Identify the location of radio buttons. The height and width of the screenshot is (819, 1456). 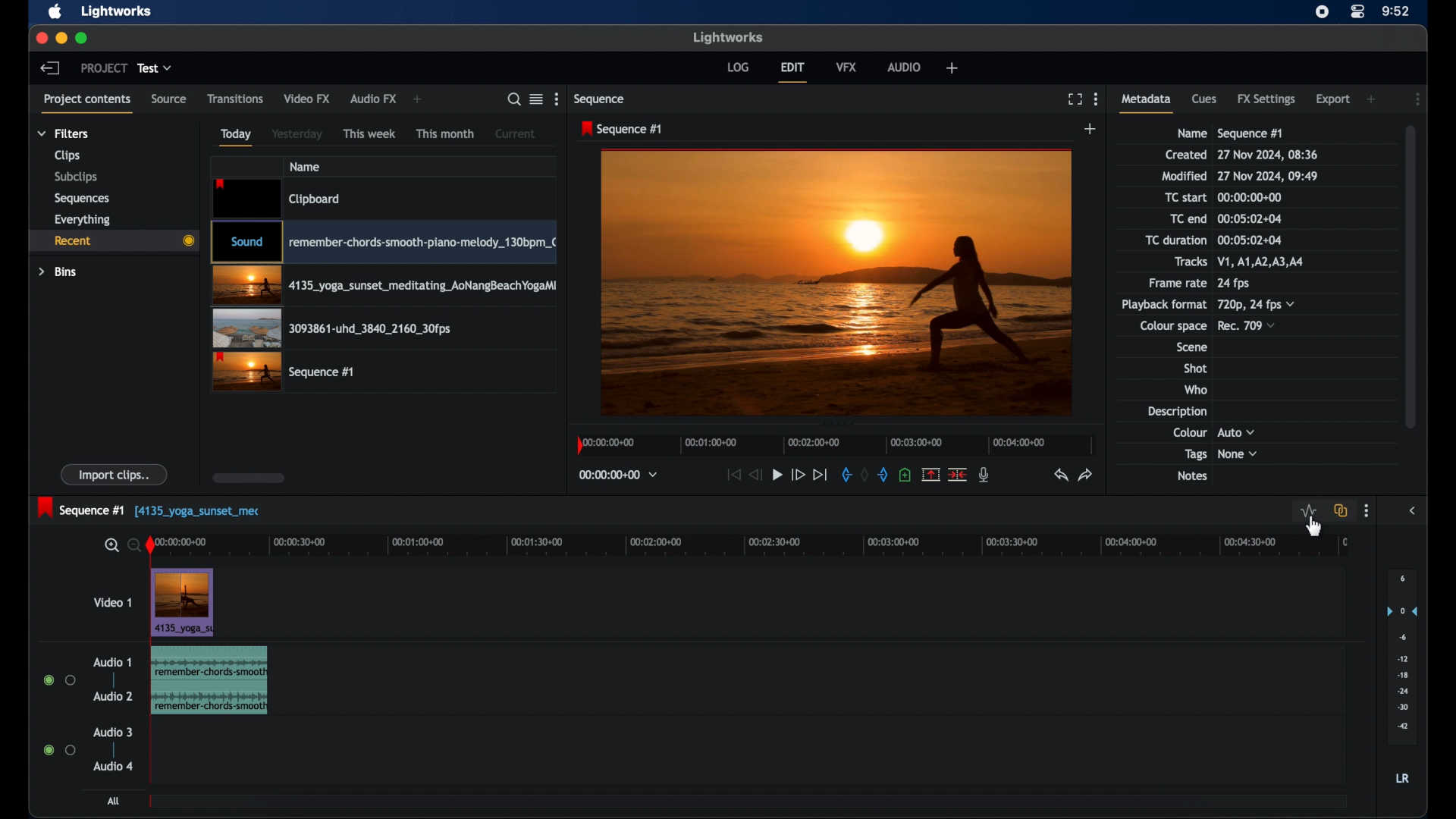
(59, 679).